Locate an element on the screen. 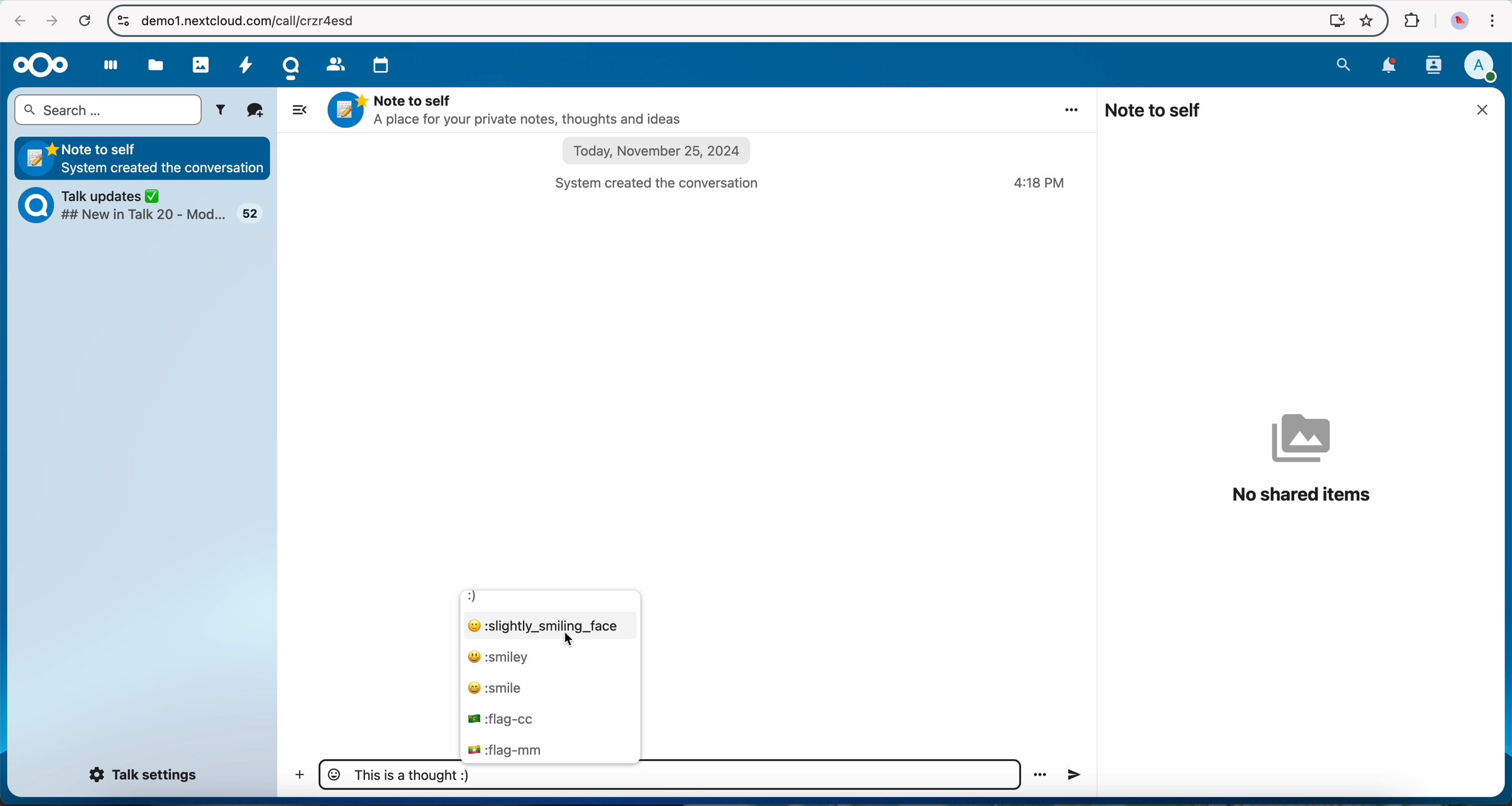 This screenshot has height=806, width=1512. Talk updates is located at coordinates (148, 208).